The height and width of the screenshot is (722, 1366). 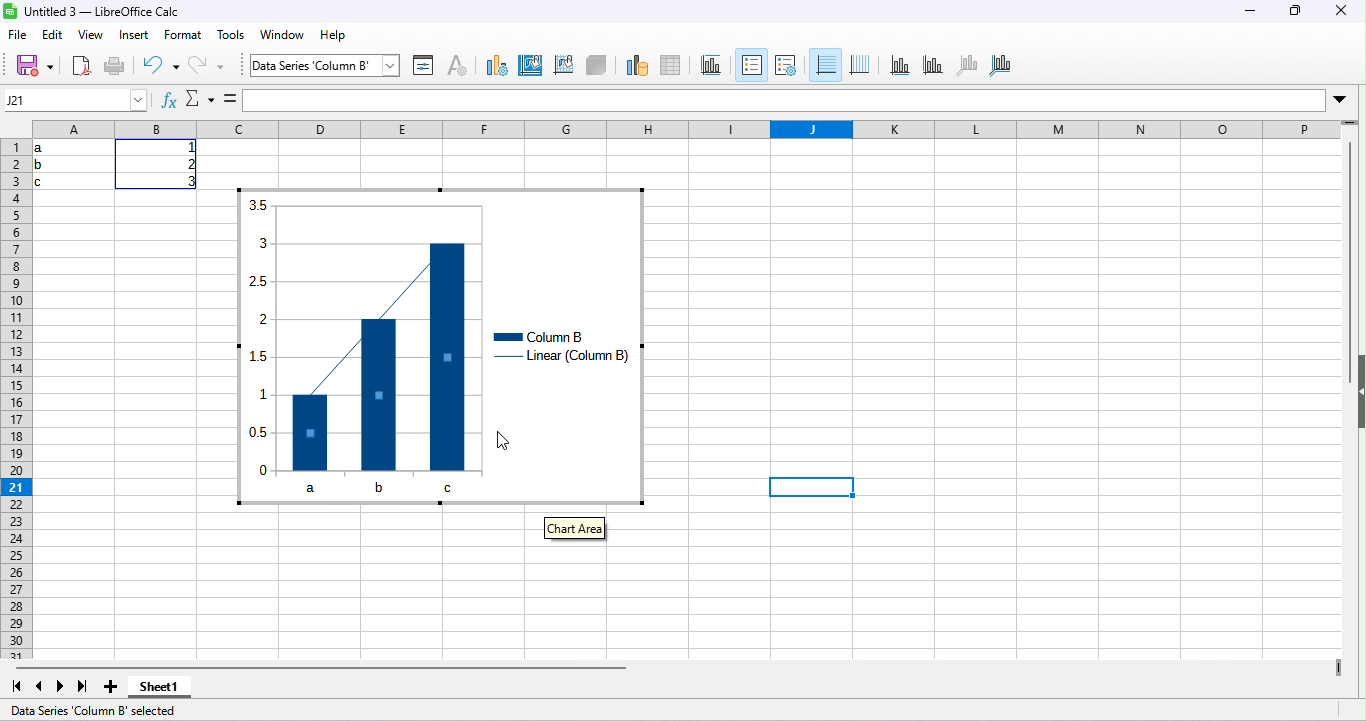 What do you see at coordinates (123, 68) in the screenshot?
I see `print` at bounding box center [123, 68].